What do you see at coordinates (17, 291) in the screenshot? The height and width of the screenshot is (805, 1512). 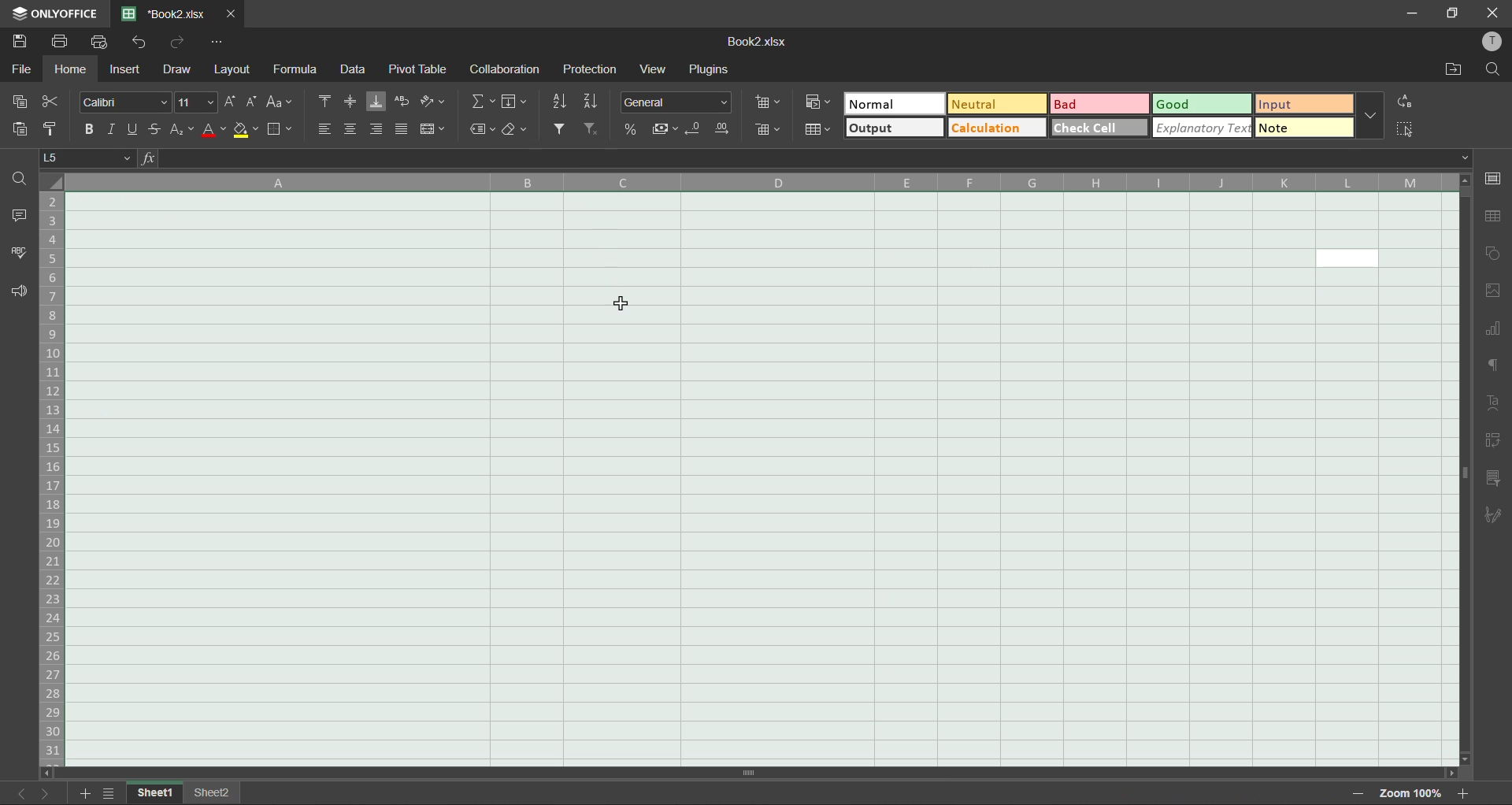 I see `feedback` at bounding box center [17, 291].